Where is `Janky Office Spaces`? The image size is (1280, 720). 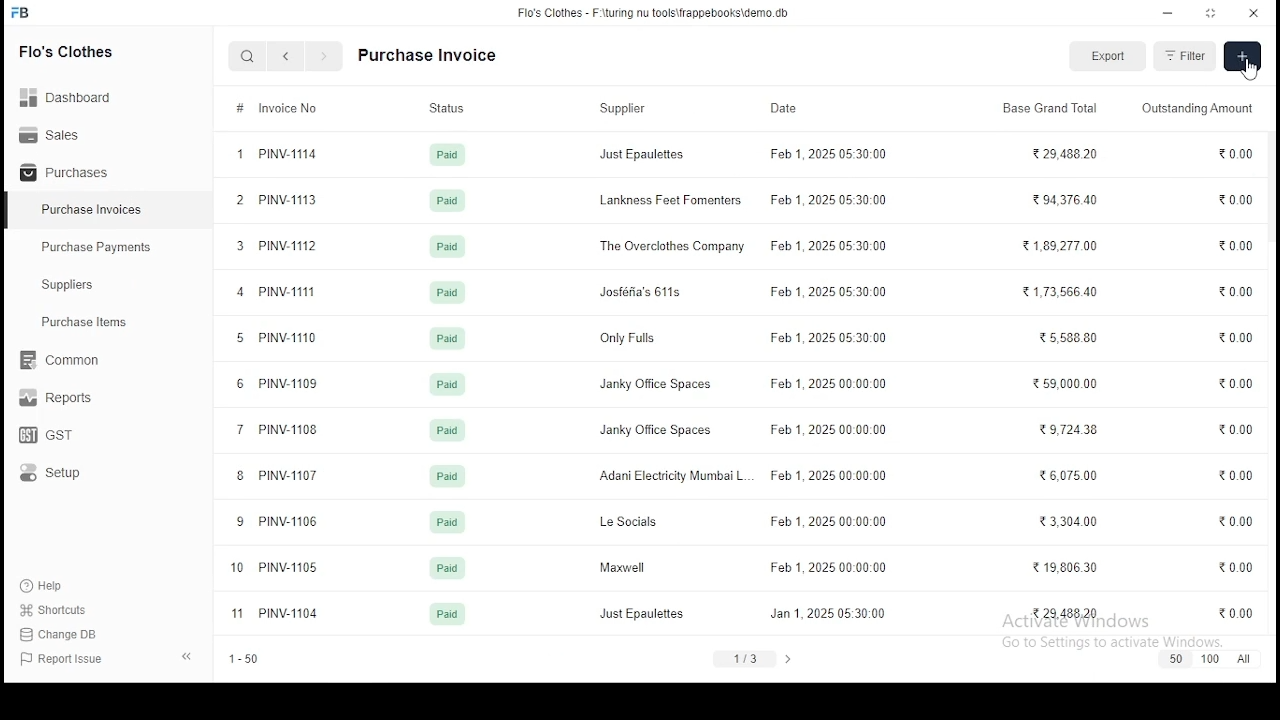 Janky Office Spaces is located at coordinates (656, 430).